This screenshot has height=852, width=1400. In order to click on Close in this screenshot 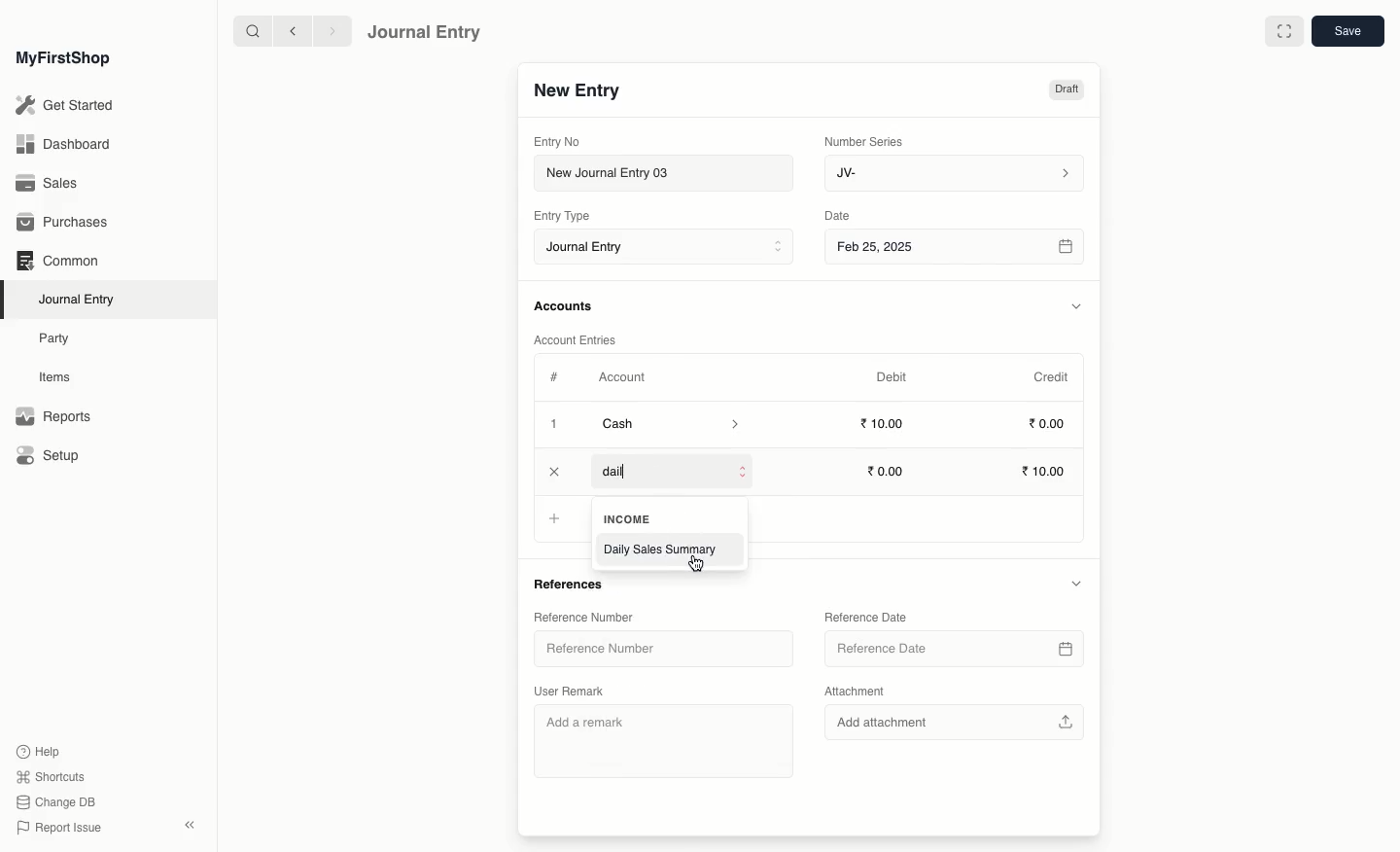, I will do `click(555, 472)`.